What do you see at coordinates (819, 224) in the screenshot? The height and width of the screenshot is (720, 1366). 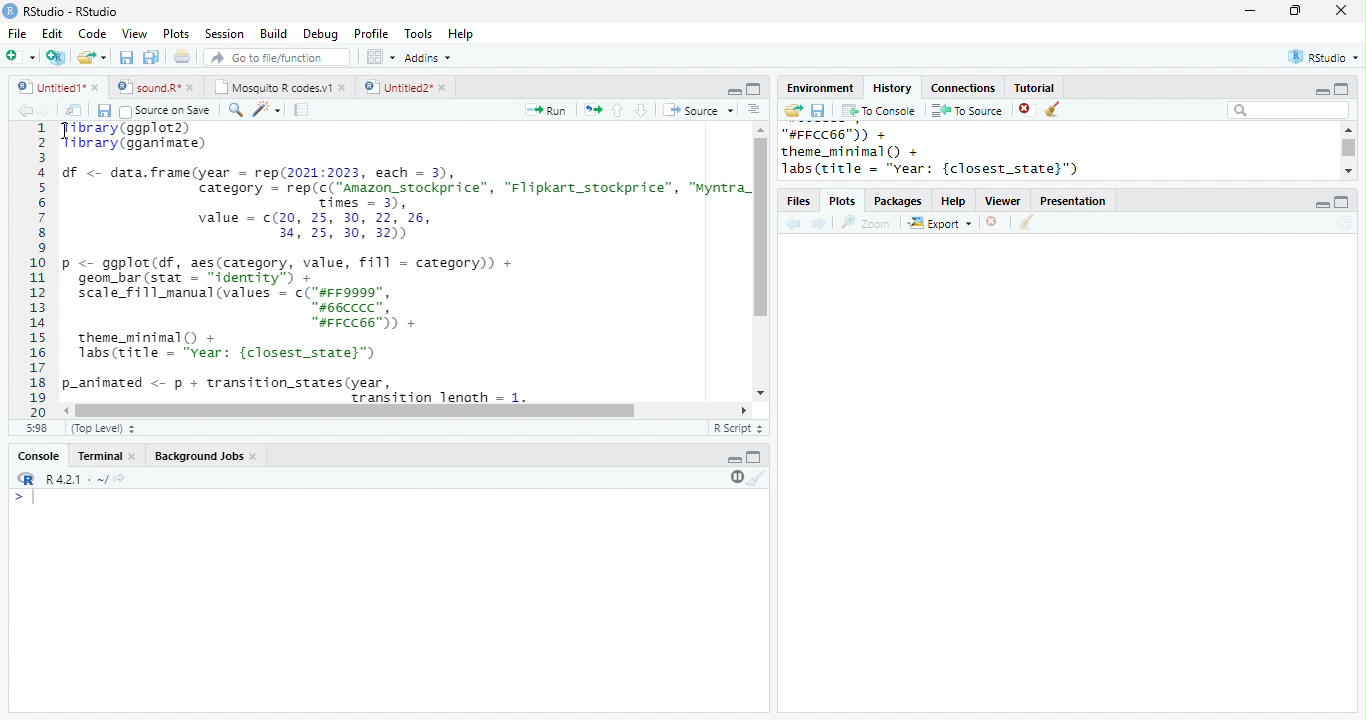 I see `forward` at bounding box center [819, 224].